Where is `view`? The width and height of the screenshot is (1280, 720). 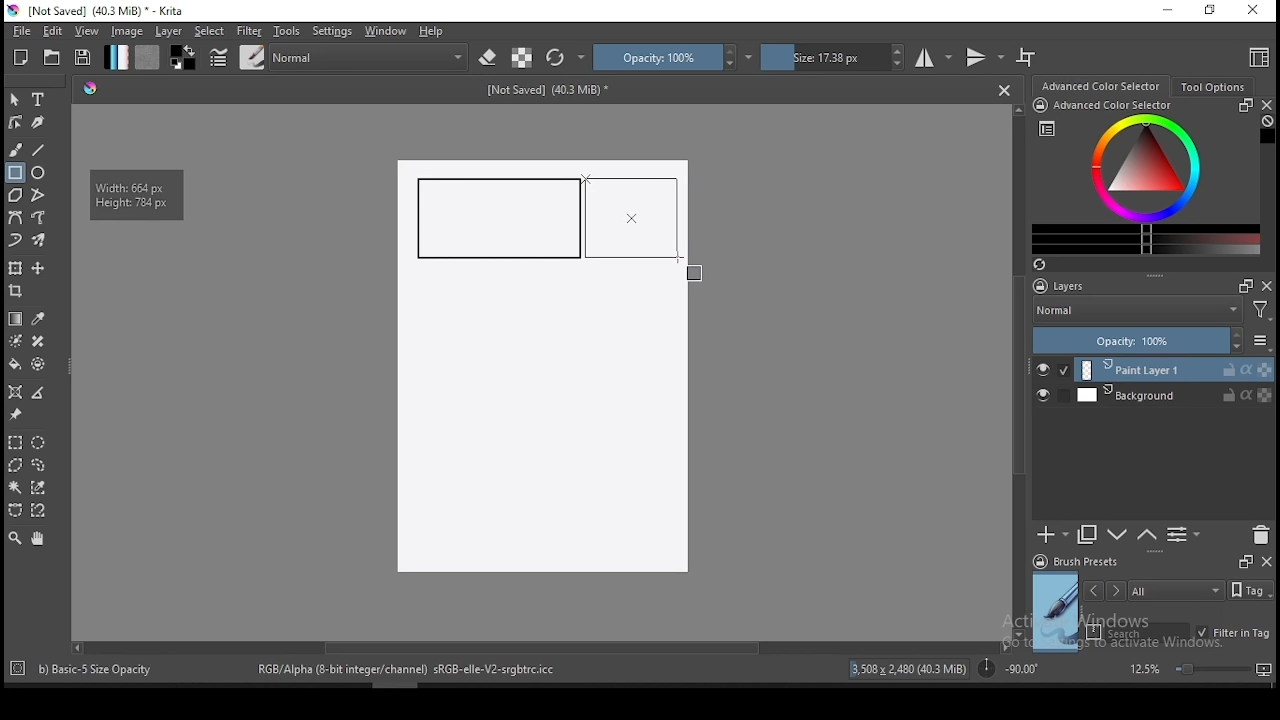
view is located at coordinates (86, 31).